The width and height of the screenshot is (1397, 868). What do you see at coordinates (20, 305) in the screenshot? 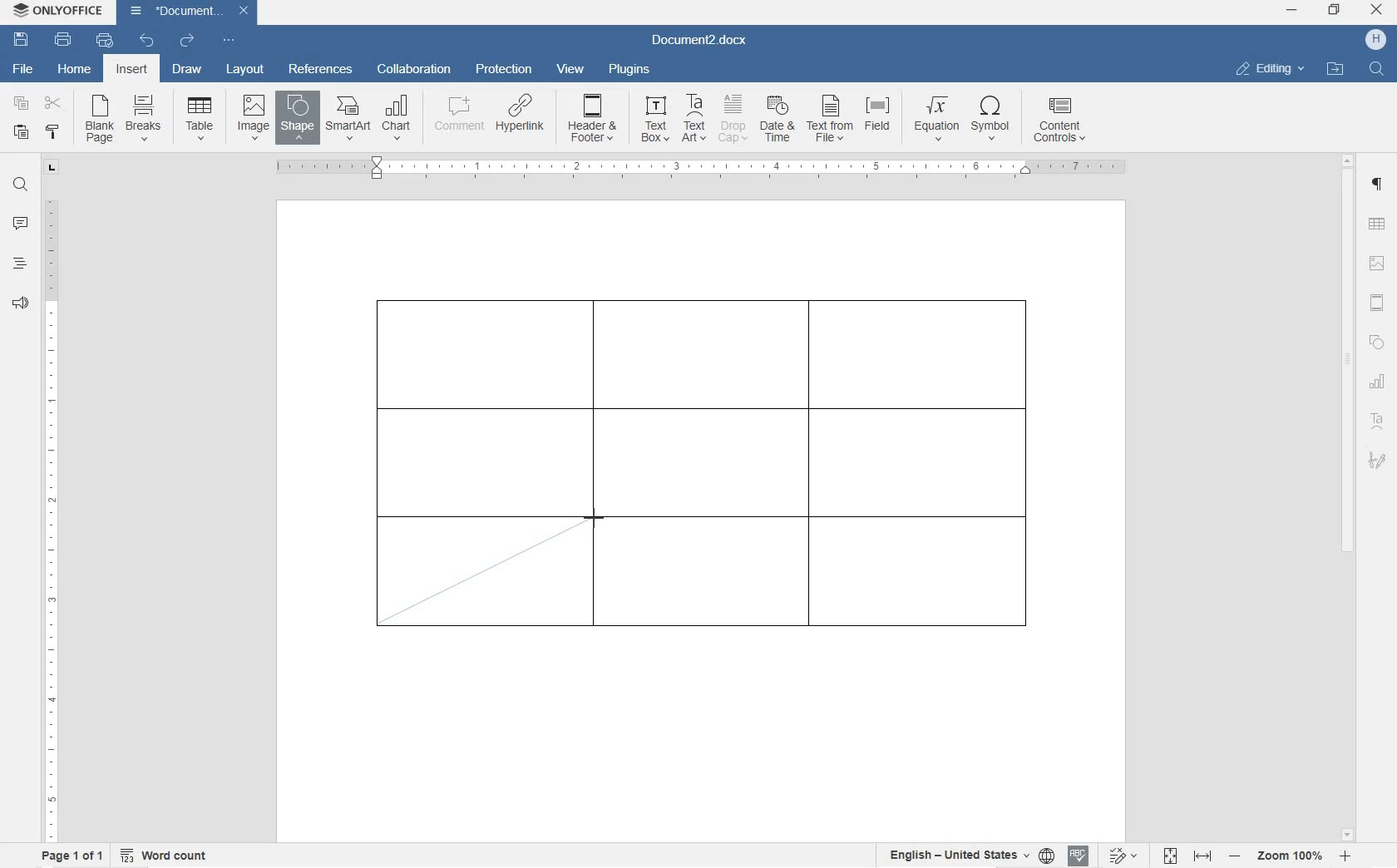
I see `feedback & support` at bounding box center [20, 305].